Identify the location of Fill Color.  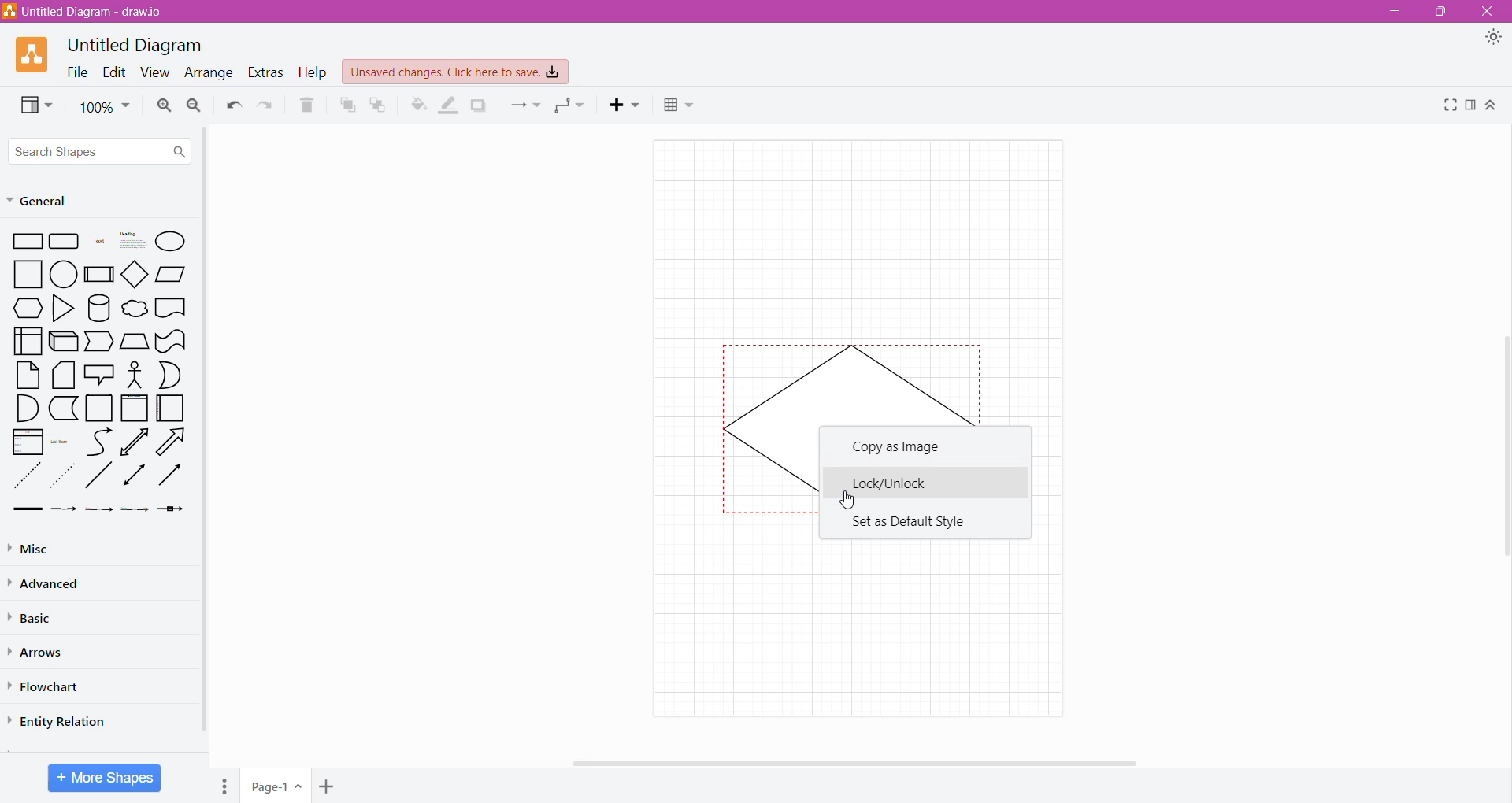
(418, 105).